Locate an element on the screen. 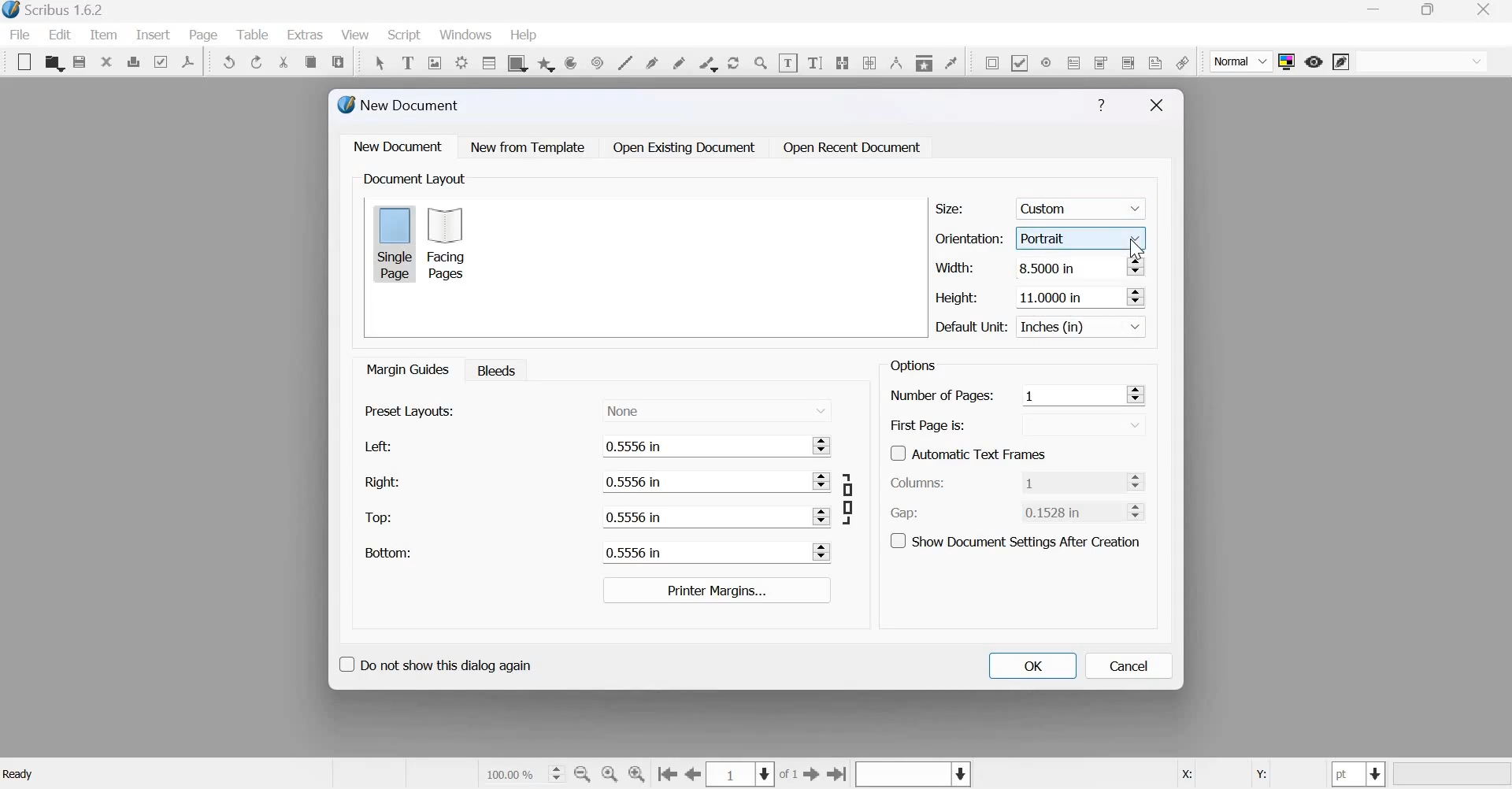 The width and height of the screenshot is (1512, 789). Eye dropper is located at coordinates (951, 61).